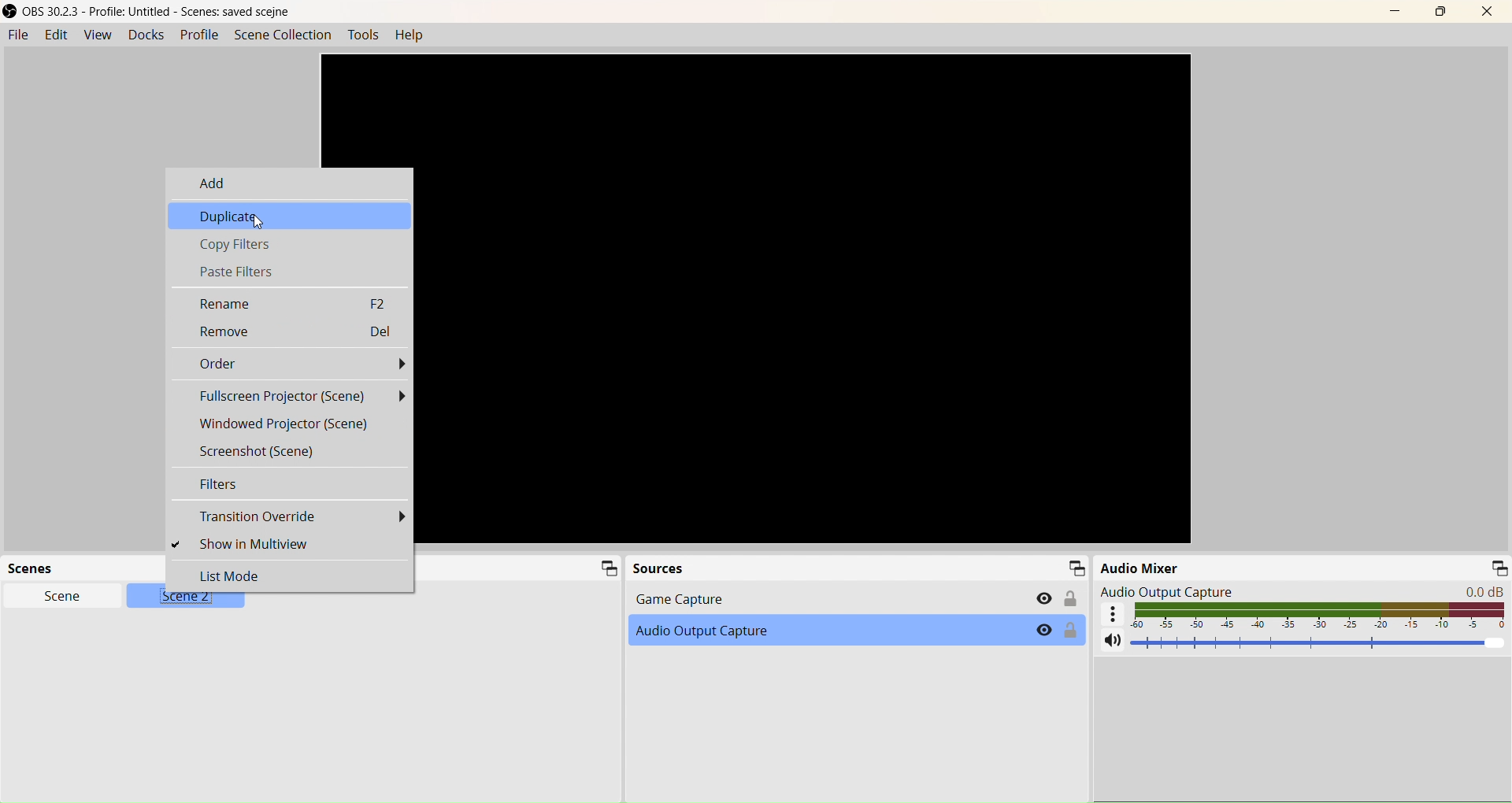  Describe the element at coordinates (256, 545) in the screenshot. I see `Show In Multiview` at that location.